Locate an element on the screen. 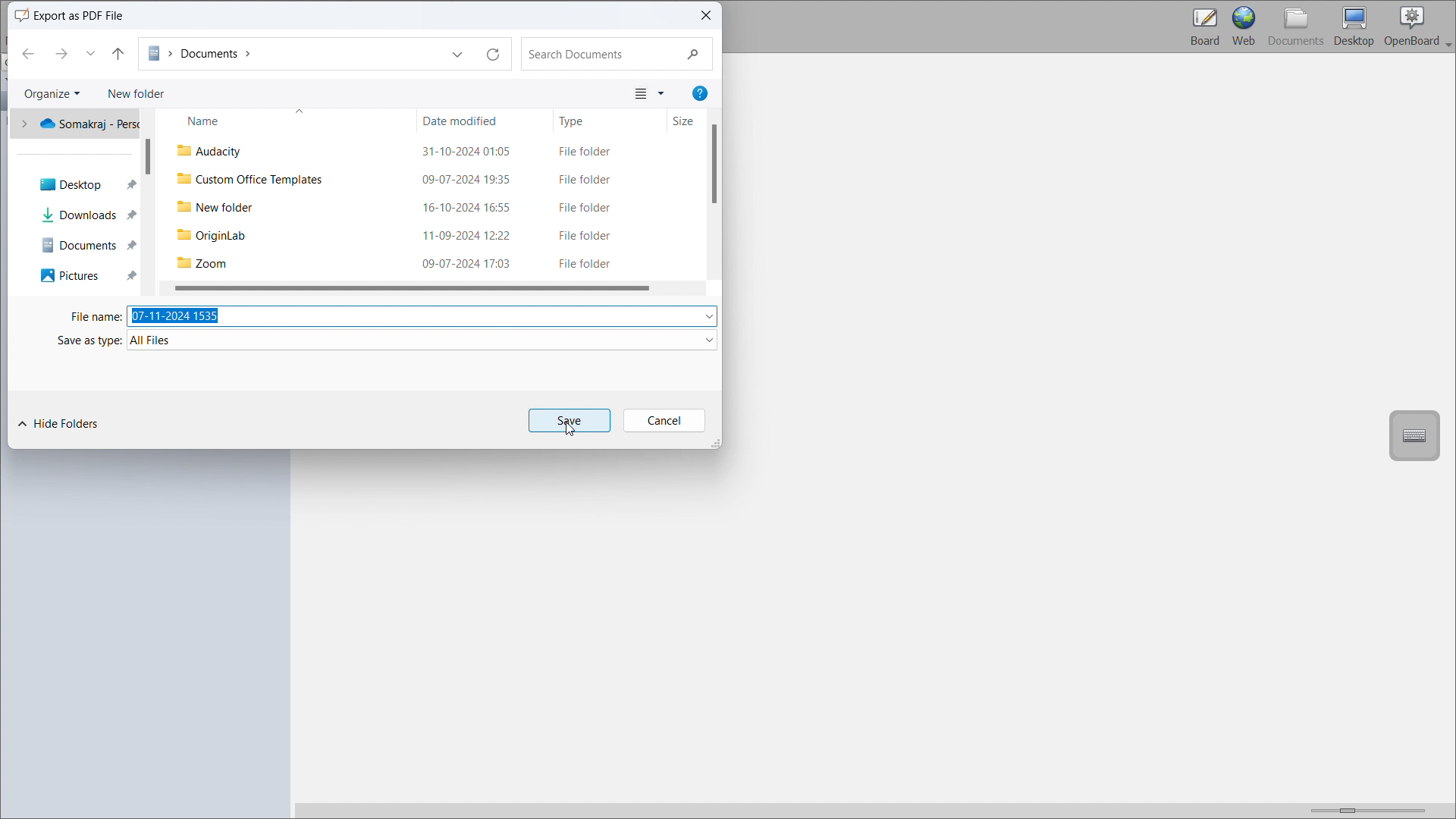 Image resolution: width=1456 pixels, height=819 pixels. Audacity is located at coordinates (221, 152).